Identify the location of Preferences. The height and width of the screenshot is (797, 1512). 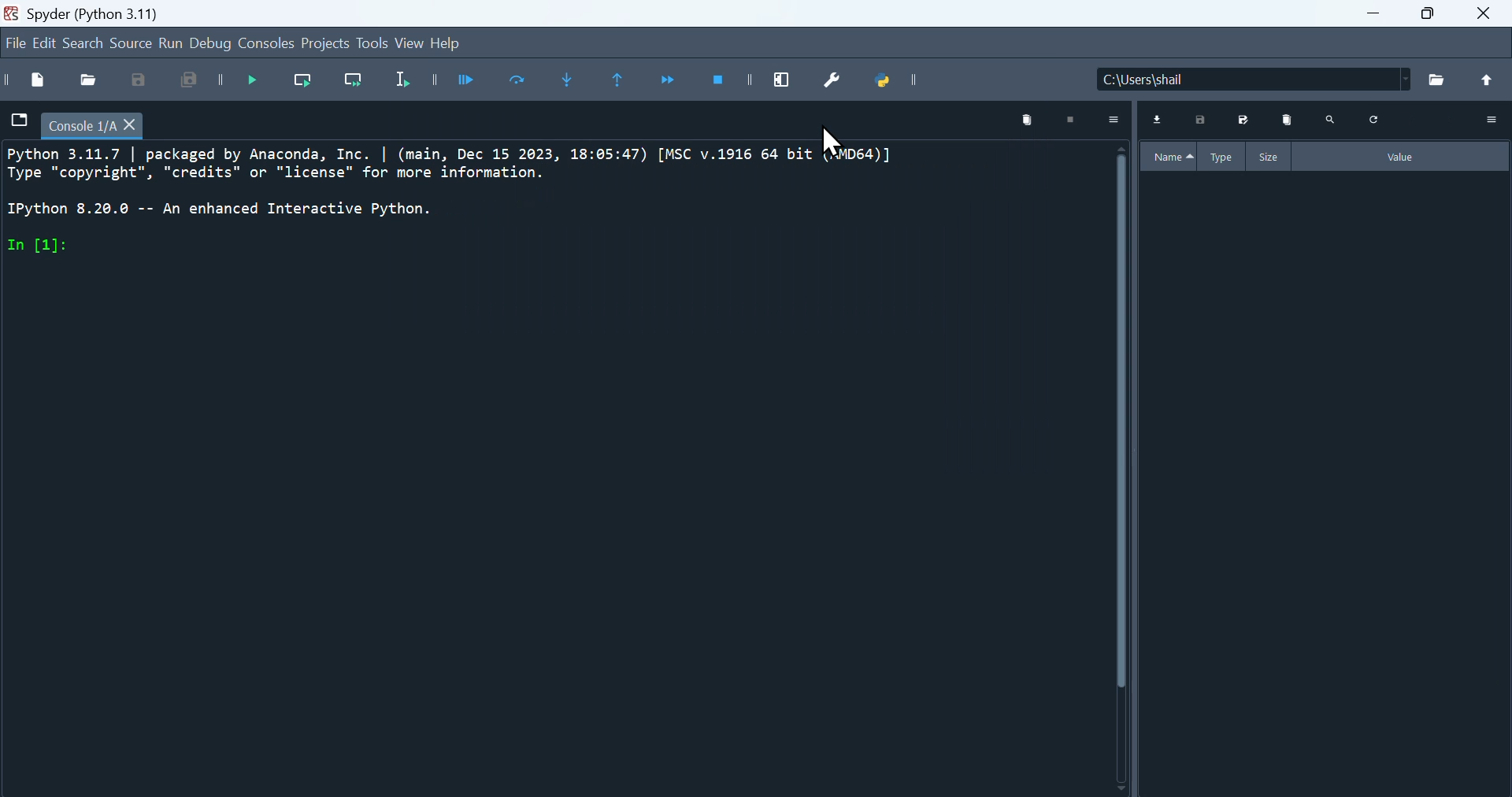
(840, 82).